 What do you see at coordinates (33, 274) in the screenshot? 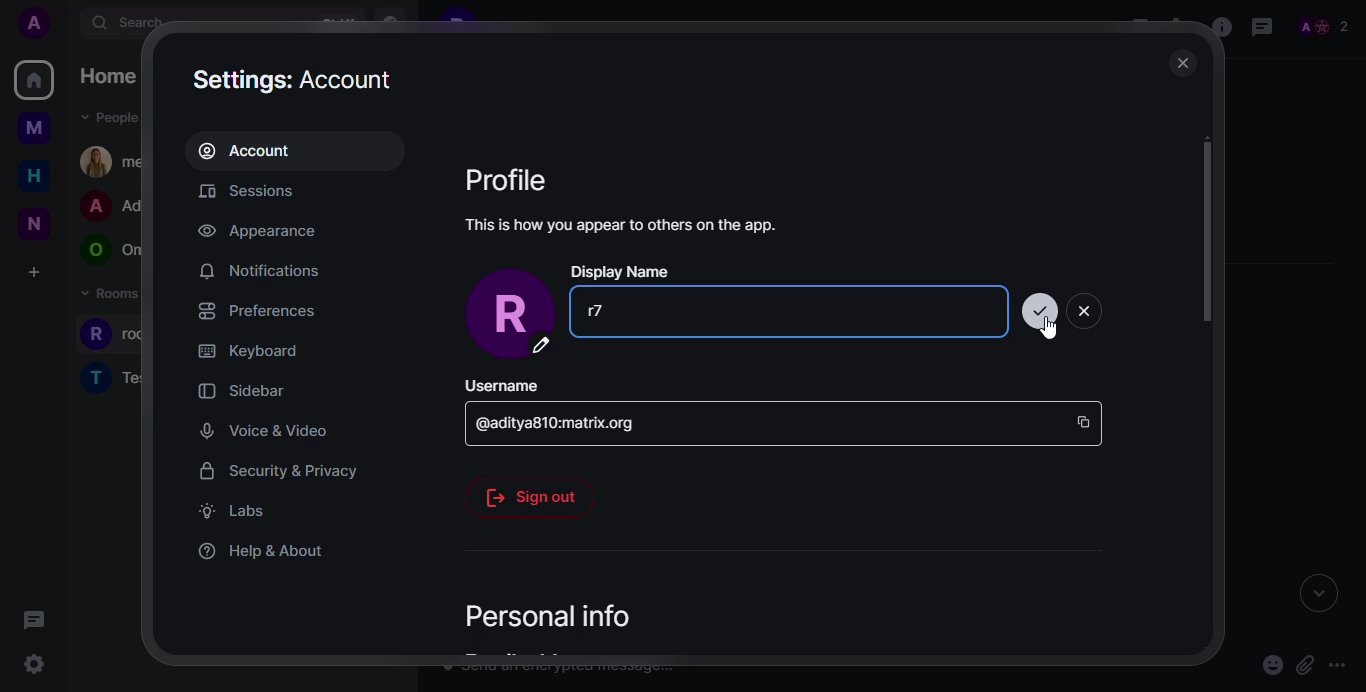
I see `create a space` at bounding box center [33, 274].